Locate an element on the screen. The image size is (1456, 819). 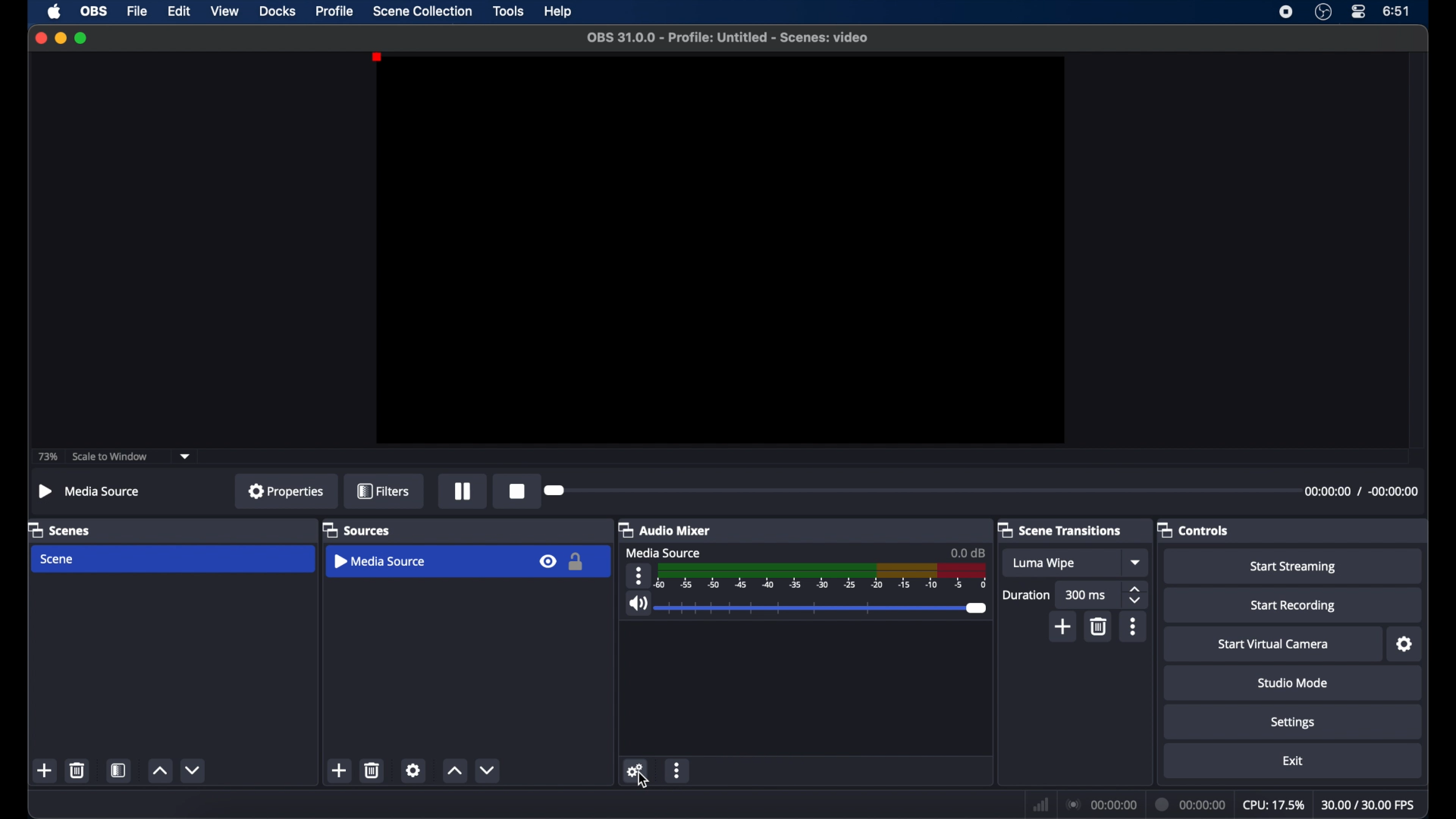
edit is located at coordinates (179, 12).